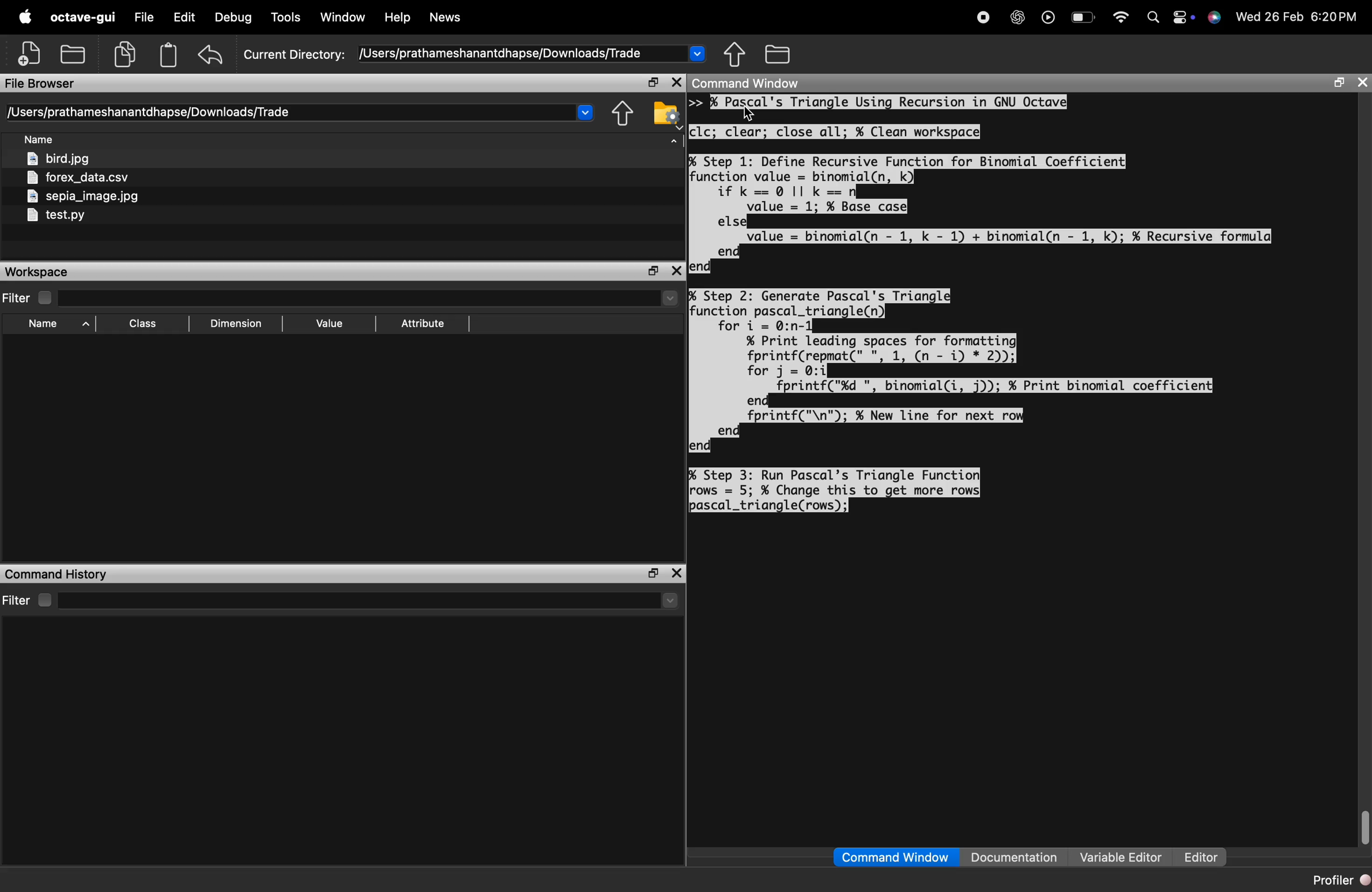 The width and height of the screenshot is (1372, 892). What do you see at coordinates (145, 324) in the screenshot?
I see `Class` at bounding box center [145, 324].